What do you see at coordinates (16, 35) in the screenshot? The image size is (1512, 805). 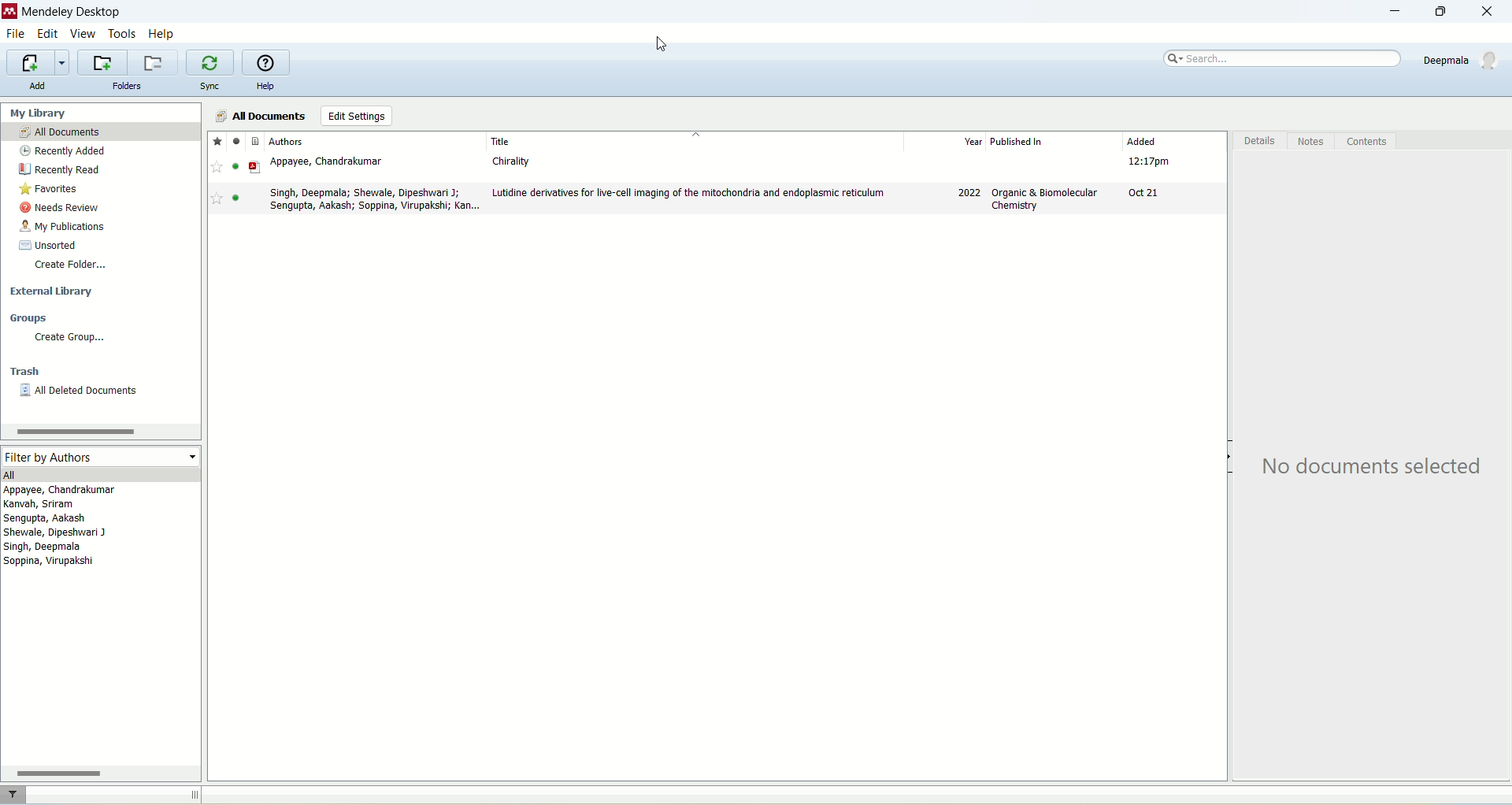 I see `file` at bounding box center [16, 35].